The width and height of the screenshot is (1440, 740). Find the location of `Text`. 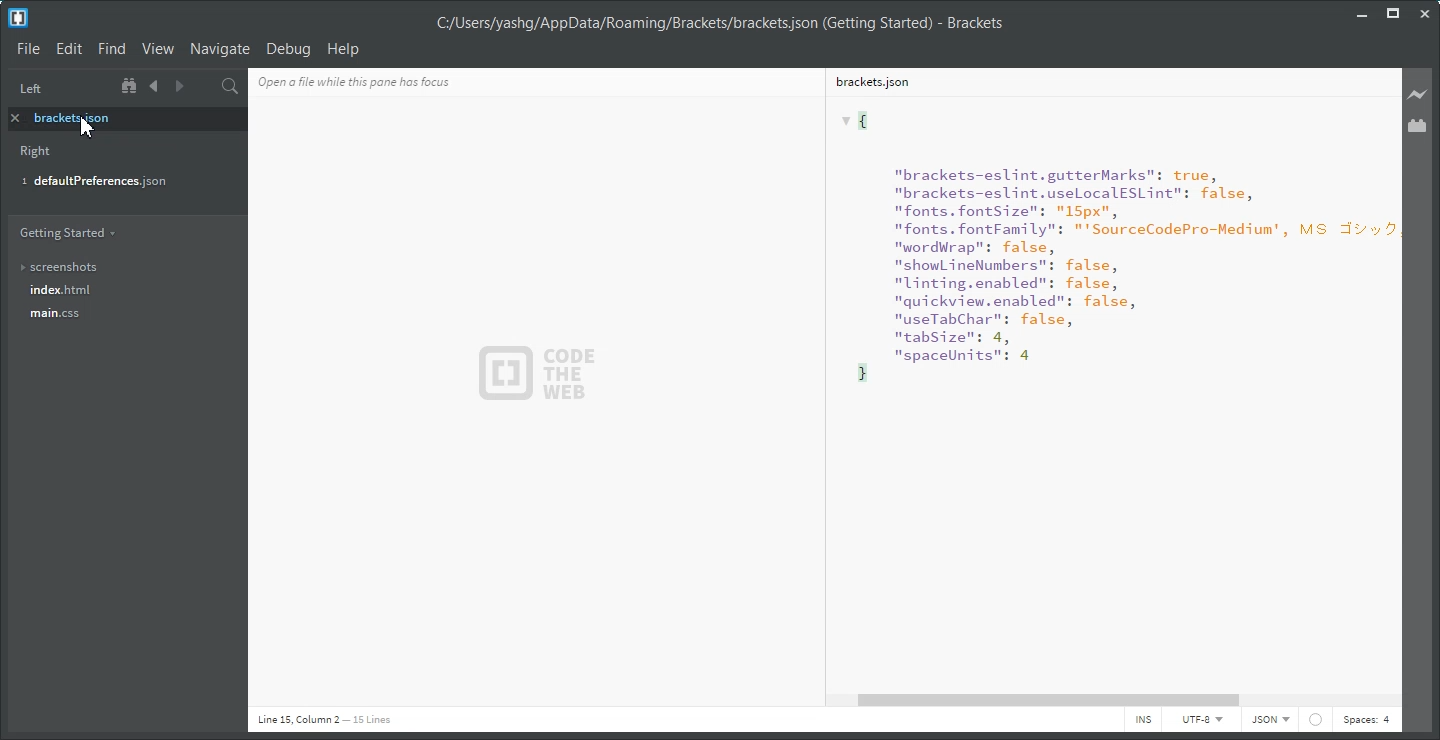

Text is located at coordinates (1106, 392).